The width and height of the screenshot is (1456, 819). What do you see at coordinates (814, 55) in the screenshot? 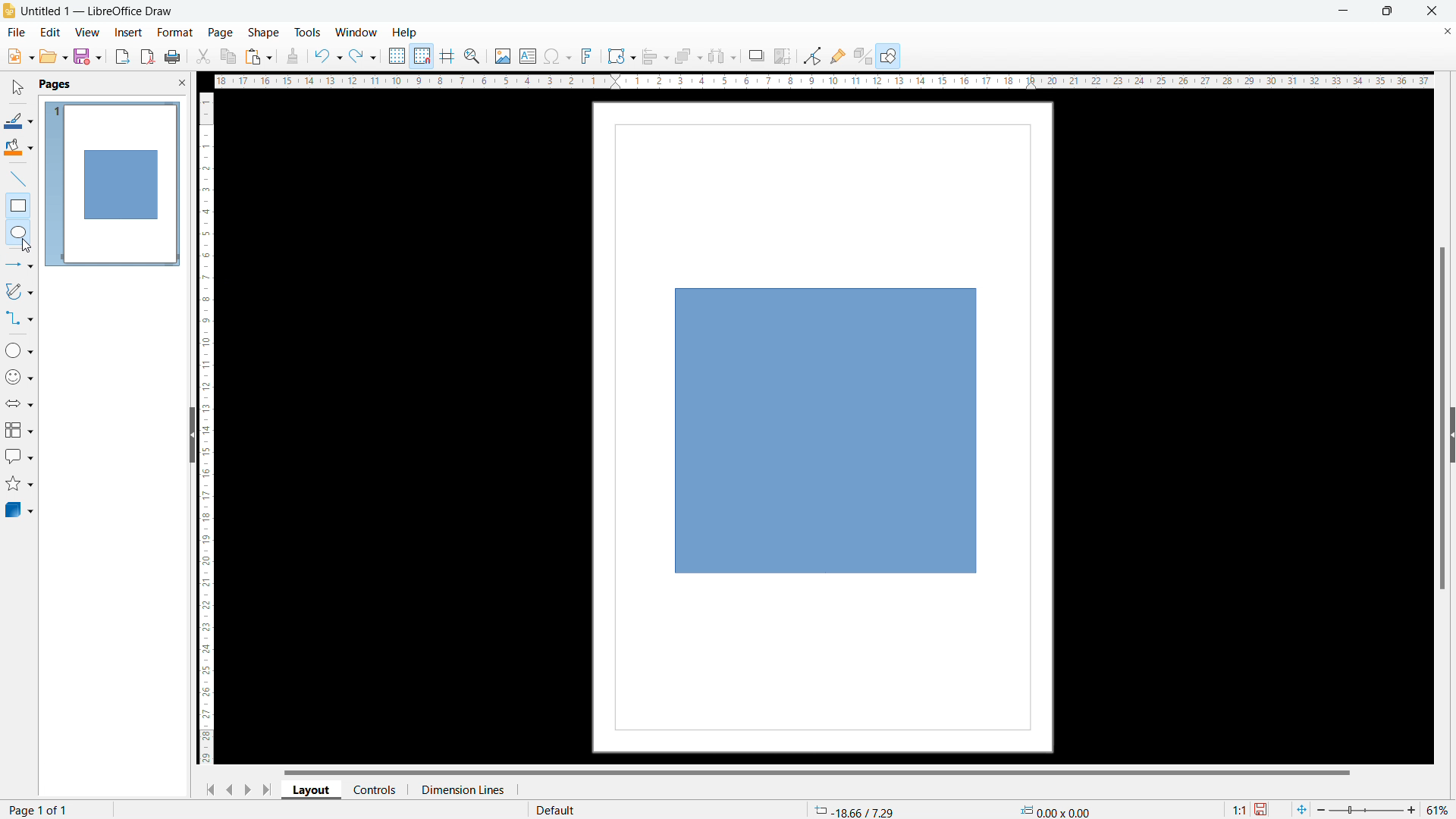
I see `toggle point edit mode` at bounding box center [814, 55].